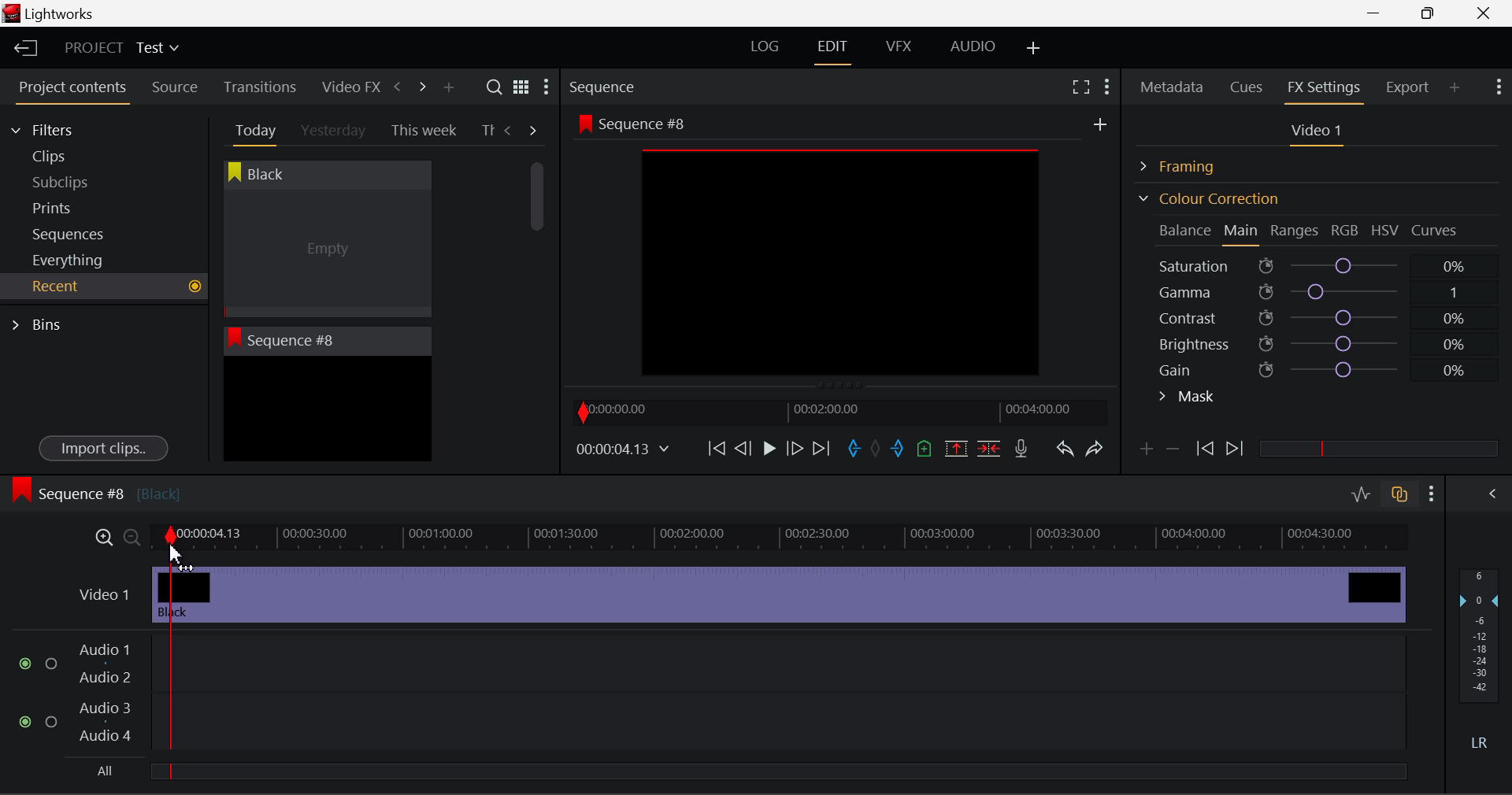 The image size is (1512, 795). What do you see at coordinates (1314, 263) in the screenshot?
I see `Saturation` at bounding box center [1314, 263].